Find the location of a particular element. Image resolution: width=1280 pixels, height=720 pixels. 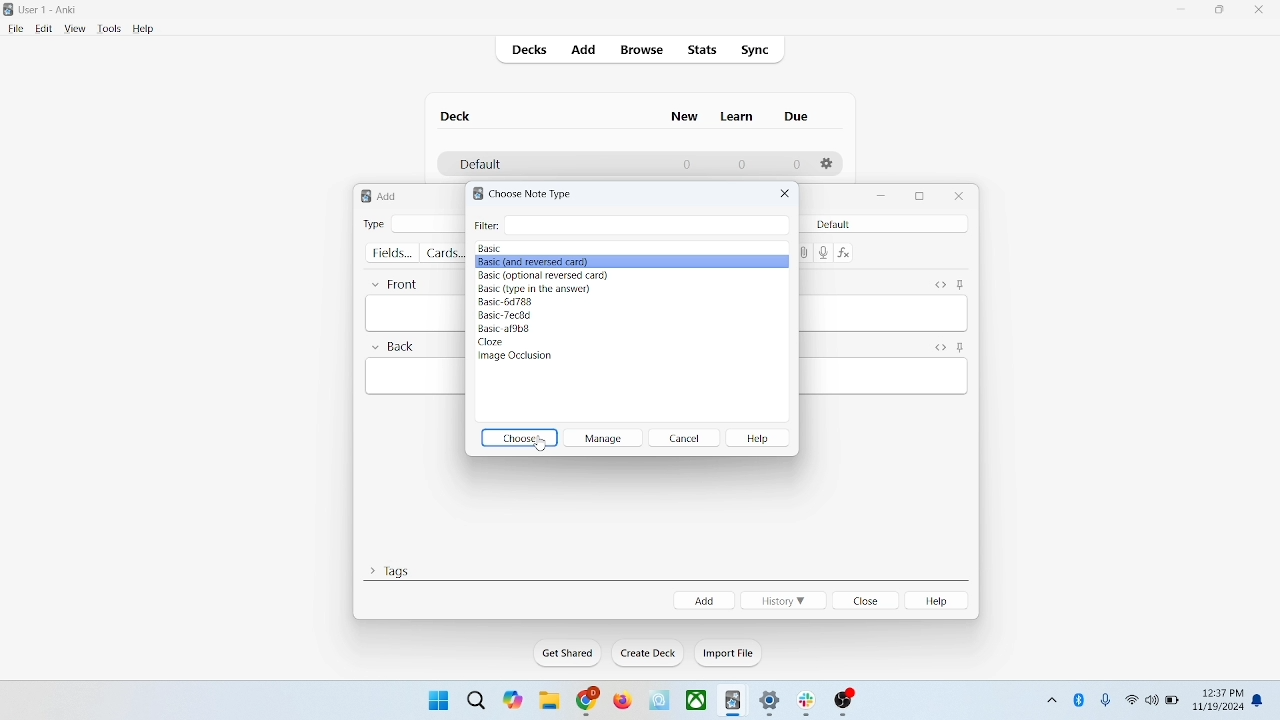

User-1 Anki is located at coordinates (52, 11).